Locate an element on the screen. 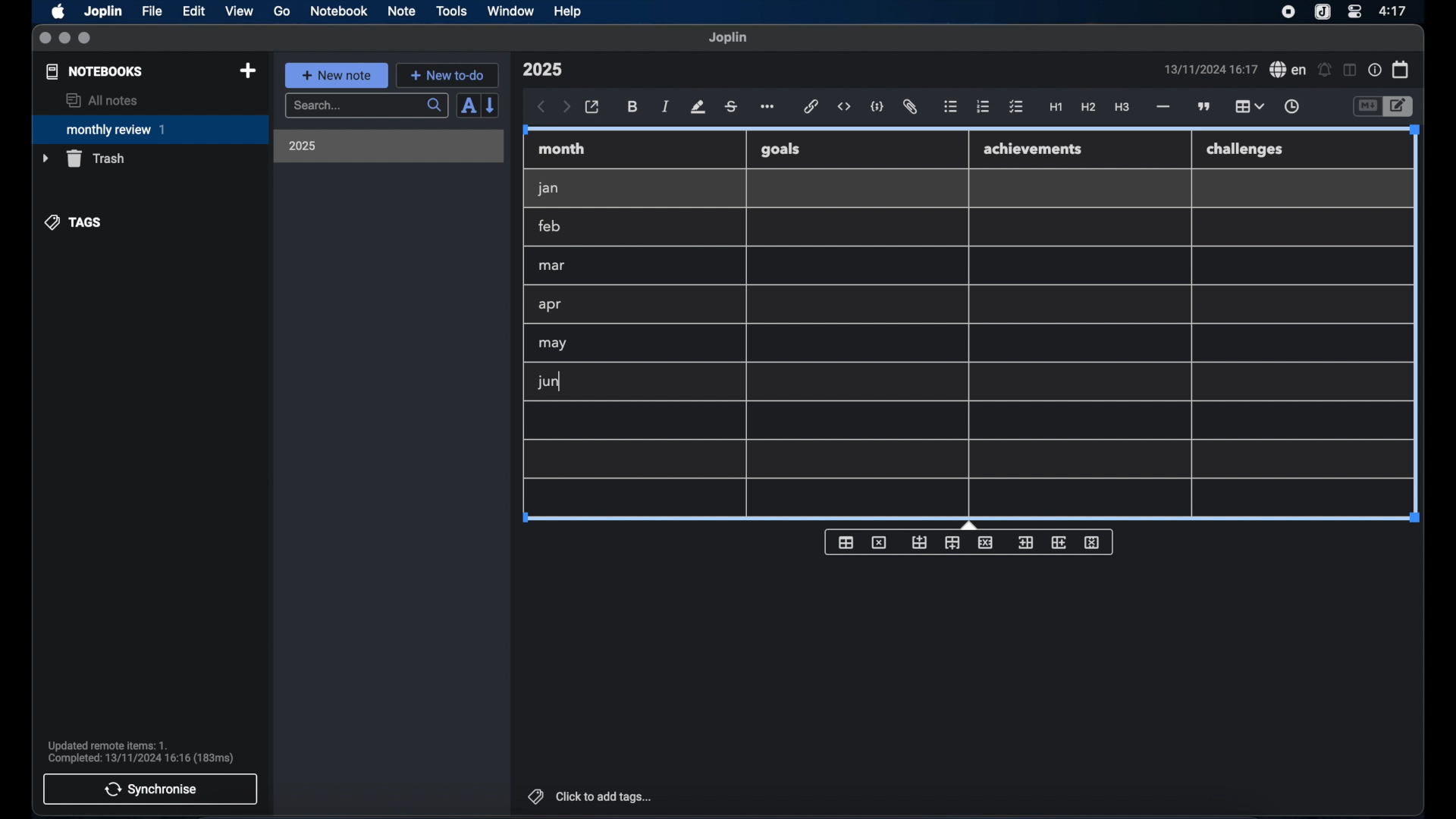  open in external editor is located at coordinates (593, 108).